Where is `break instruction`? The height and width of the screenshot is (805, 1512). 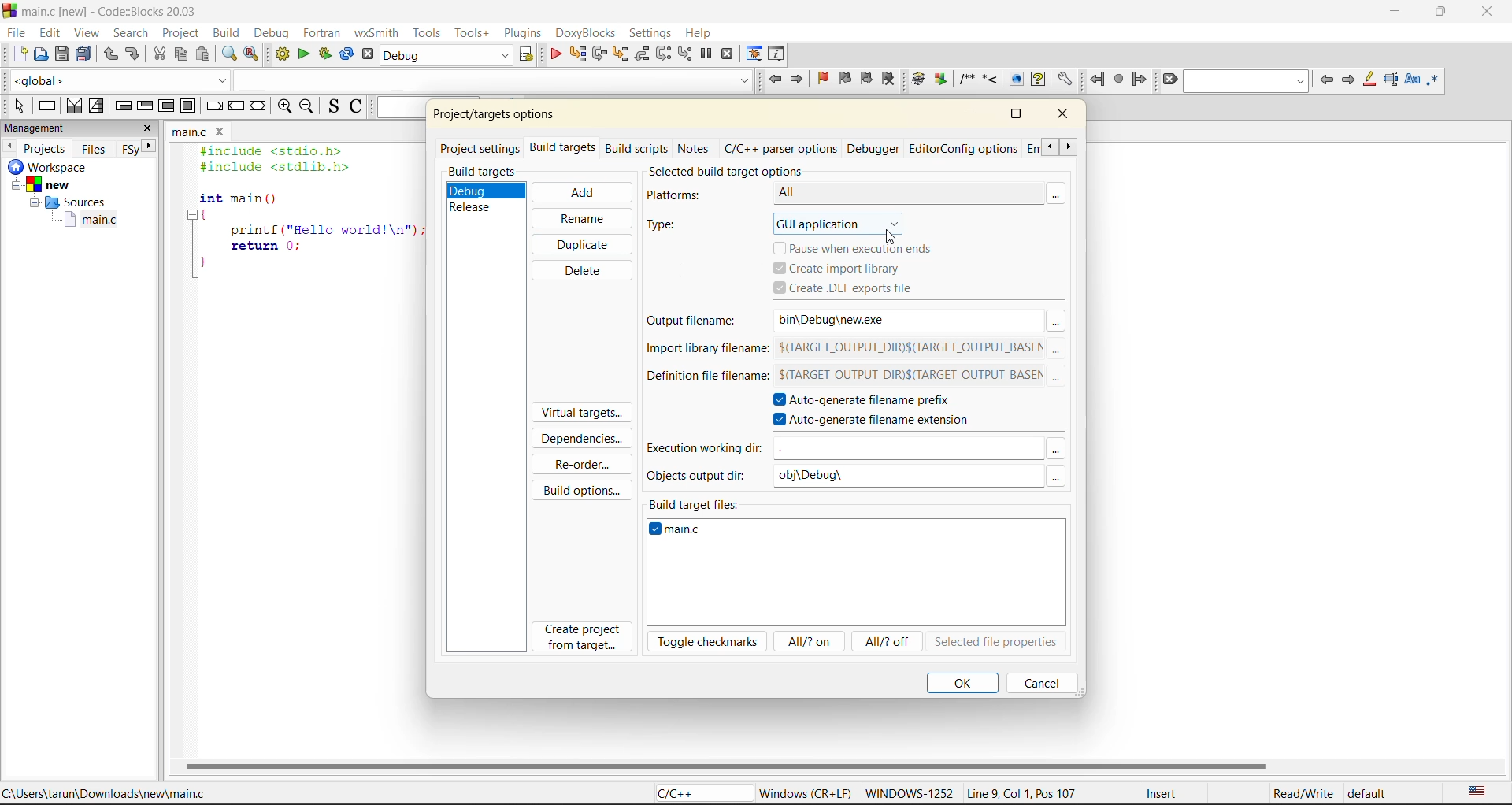
break instruction is located at coordinates (216, 108).